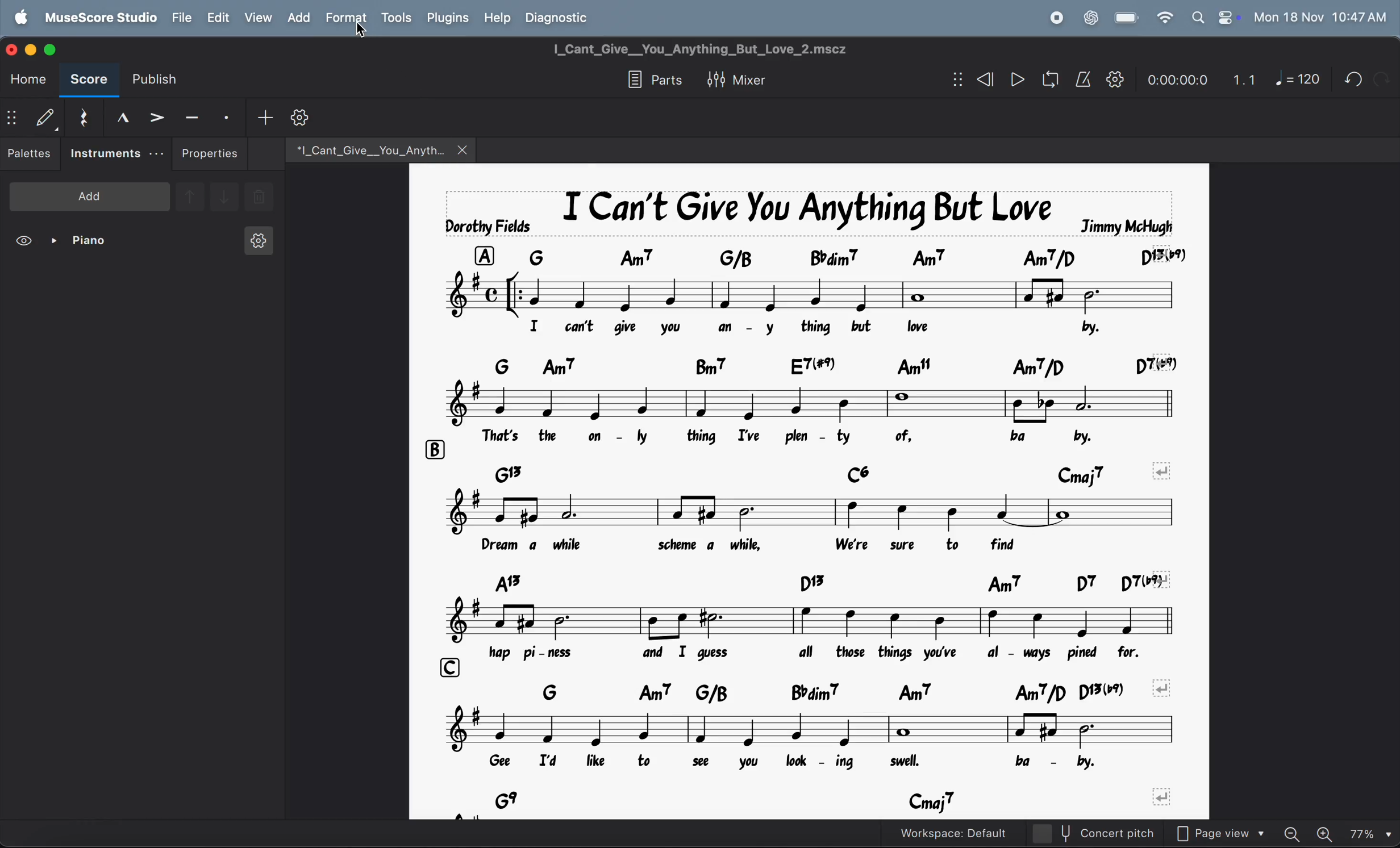  I want to click on uptone, so click(189, 195).